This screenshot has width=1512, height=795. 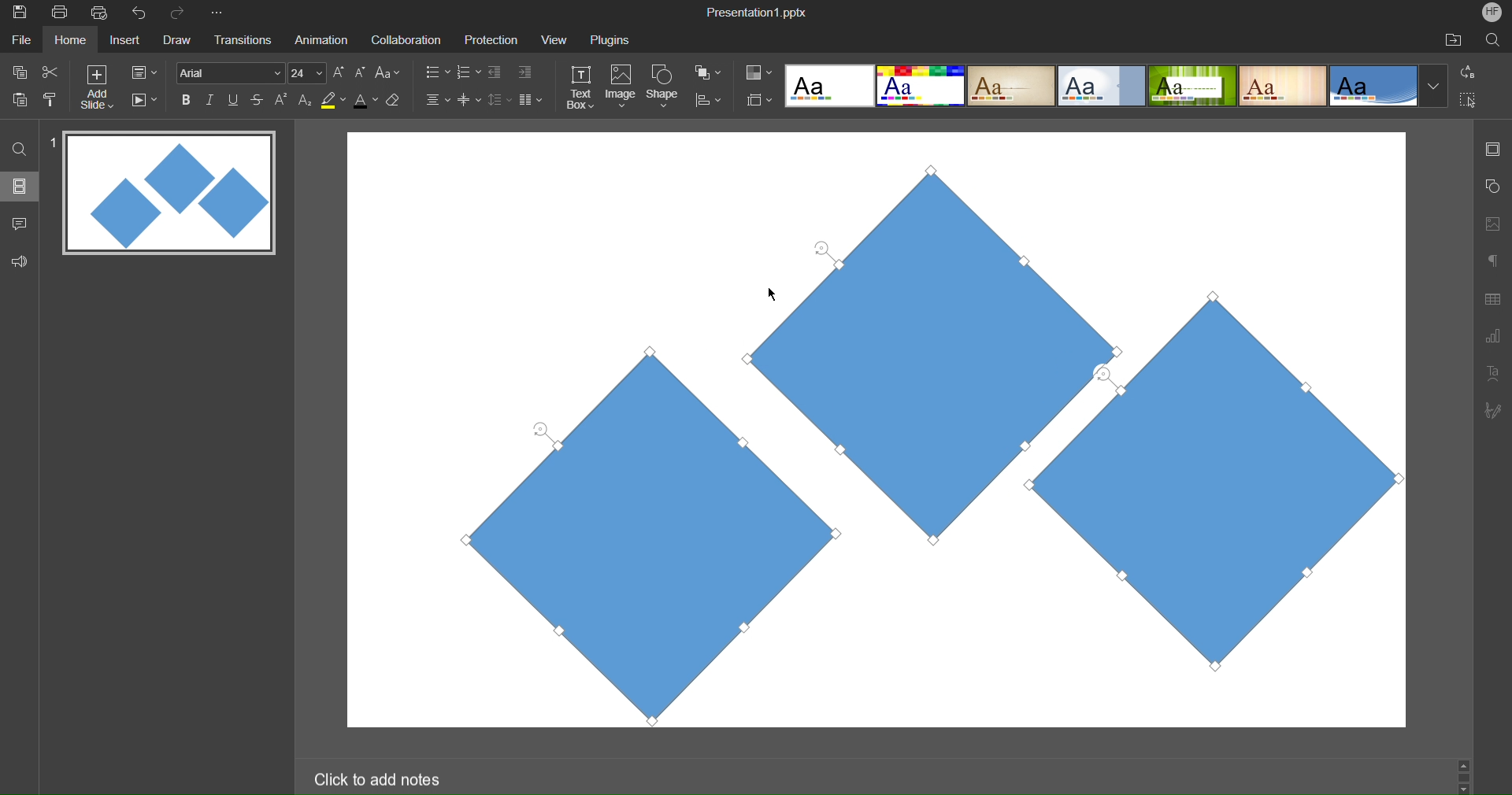 I want to click on Draw, so click(x=176, y=41).